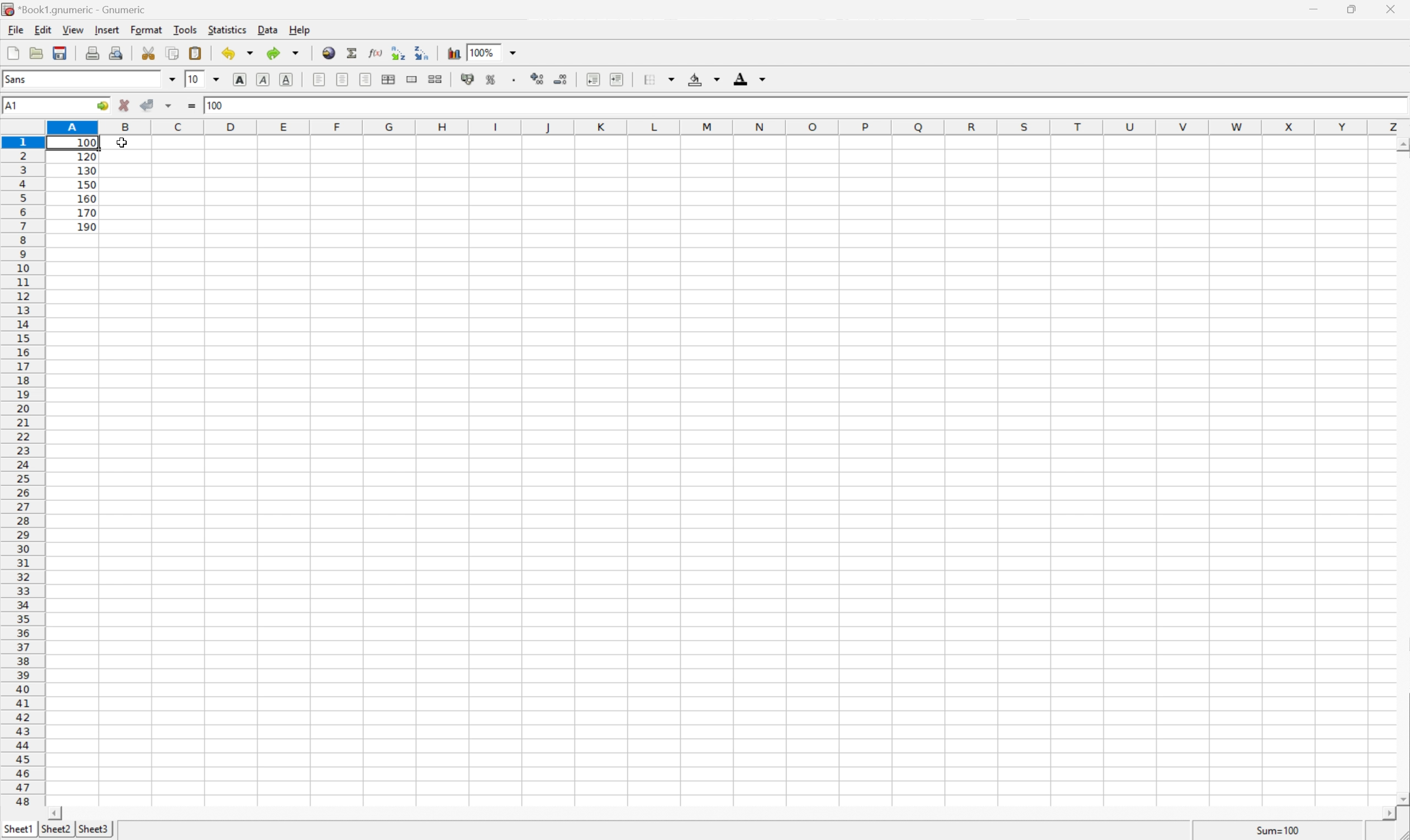  Describe the element at coordinates (86, 183) in the screenshot. I see `150` at that location.